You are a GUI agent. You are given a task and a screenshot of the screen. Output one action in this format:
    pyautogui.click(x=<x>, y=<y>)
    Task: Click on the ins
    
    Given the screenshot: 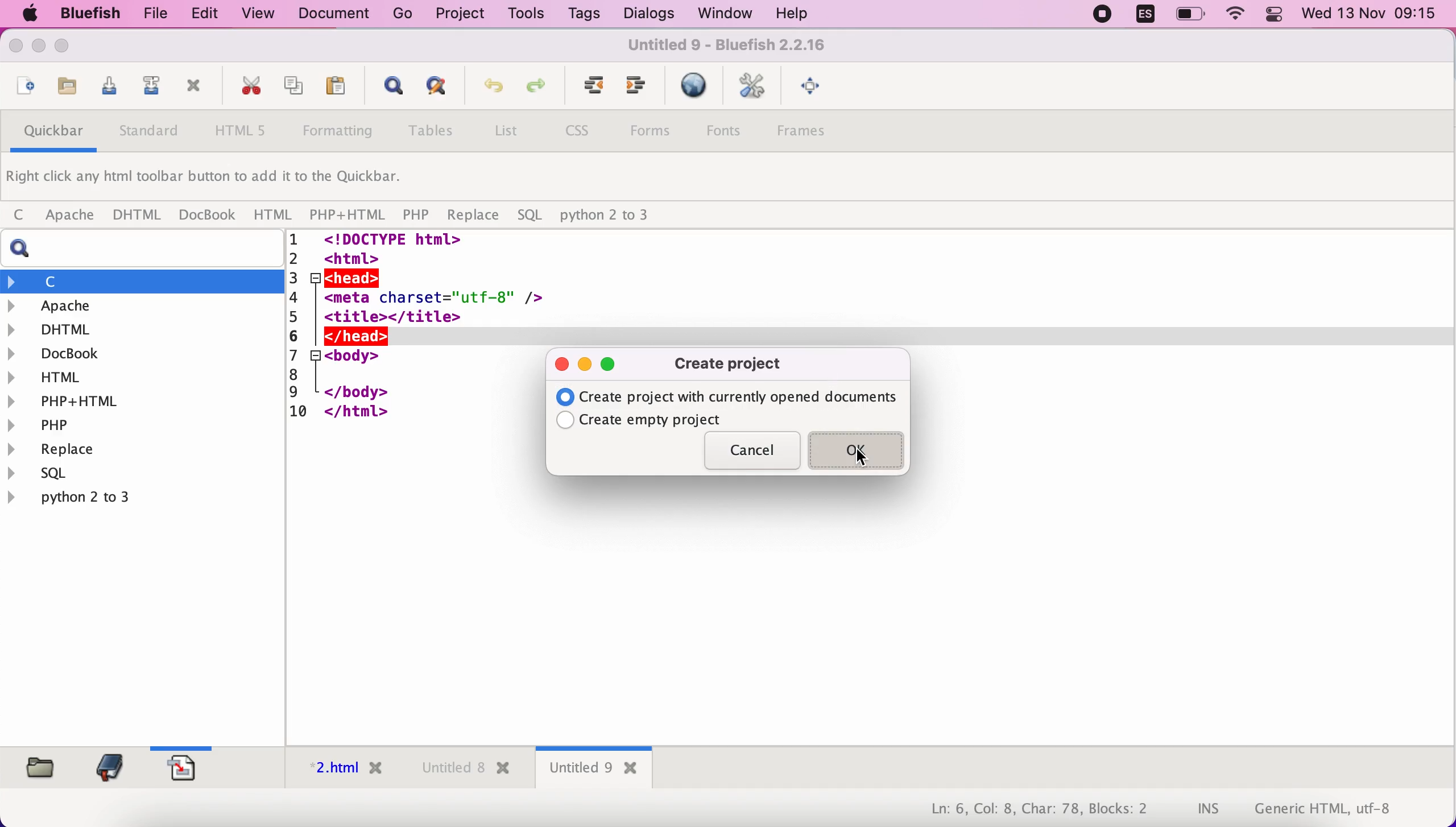 What is the action you would take?
    pyautogui.click(x=1209, y=810)
    